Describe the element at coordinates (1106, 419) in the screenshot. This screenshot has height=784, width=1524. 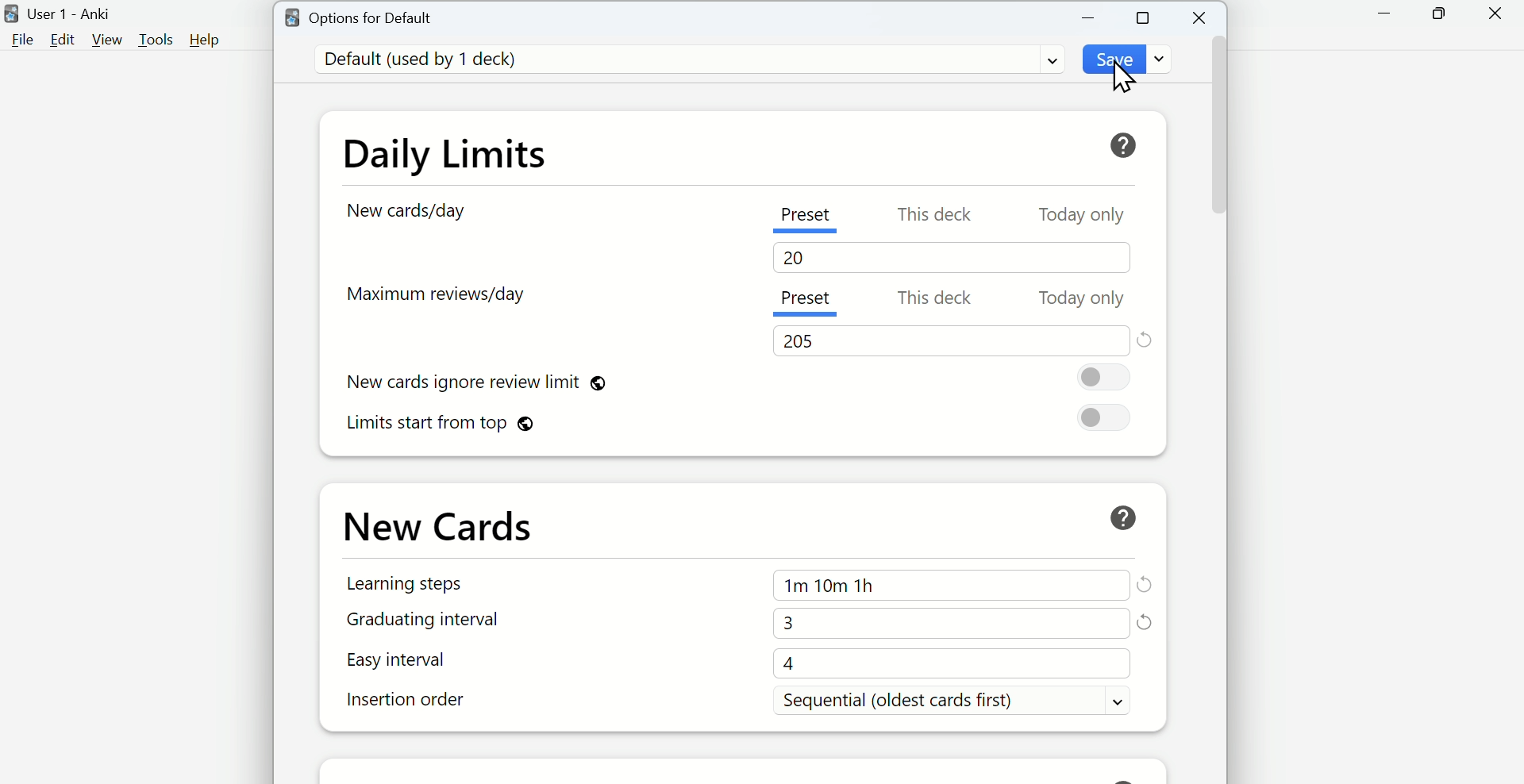
I see `On/Off toggle` at that location.